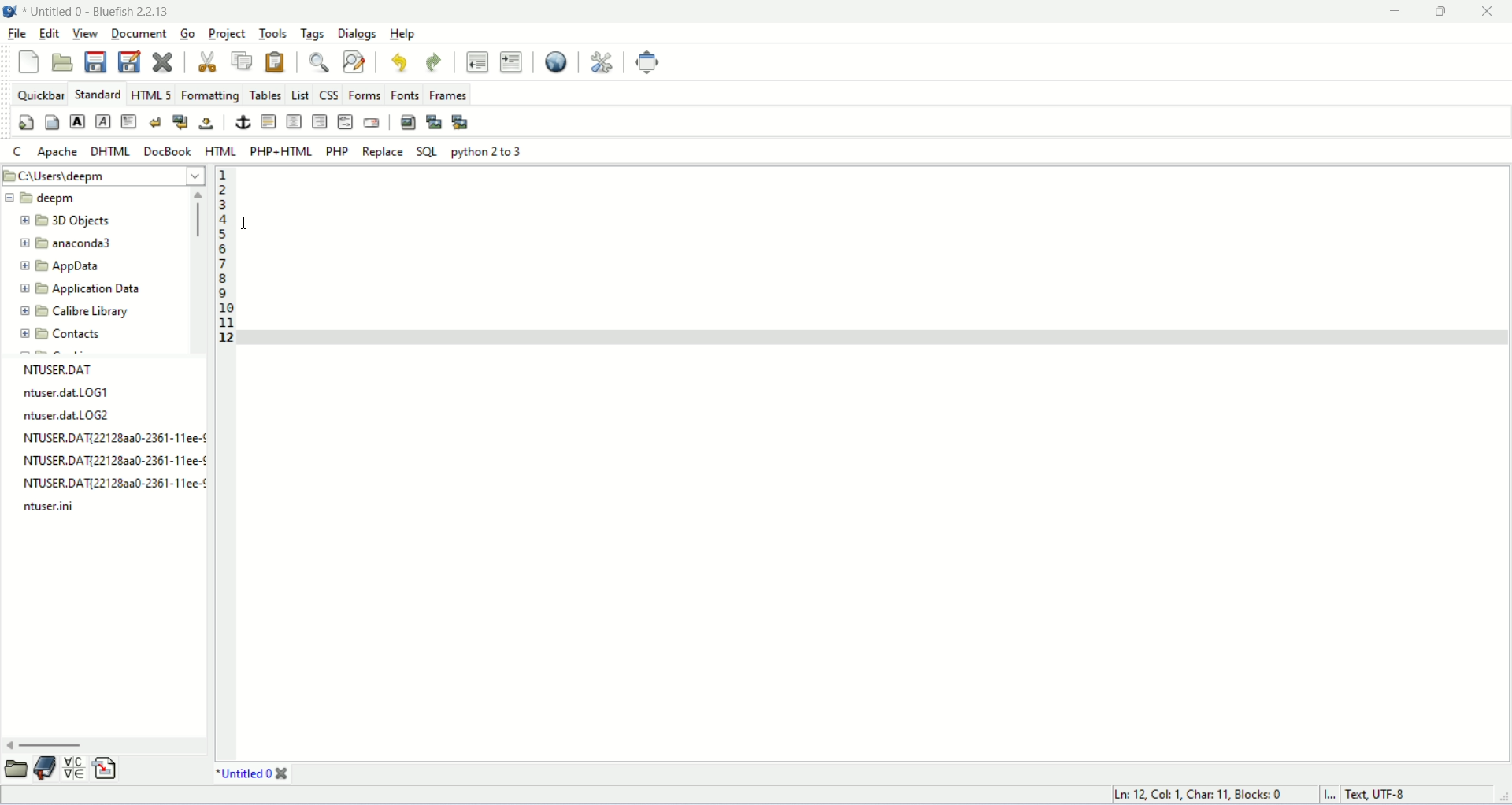 This screenshot has height=805, width=1512. I want to click on go, so click(187, 35).